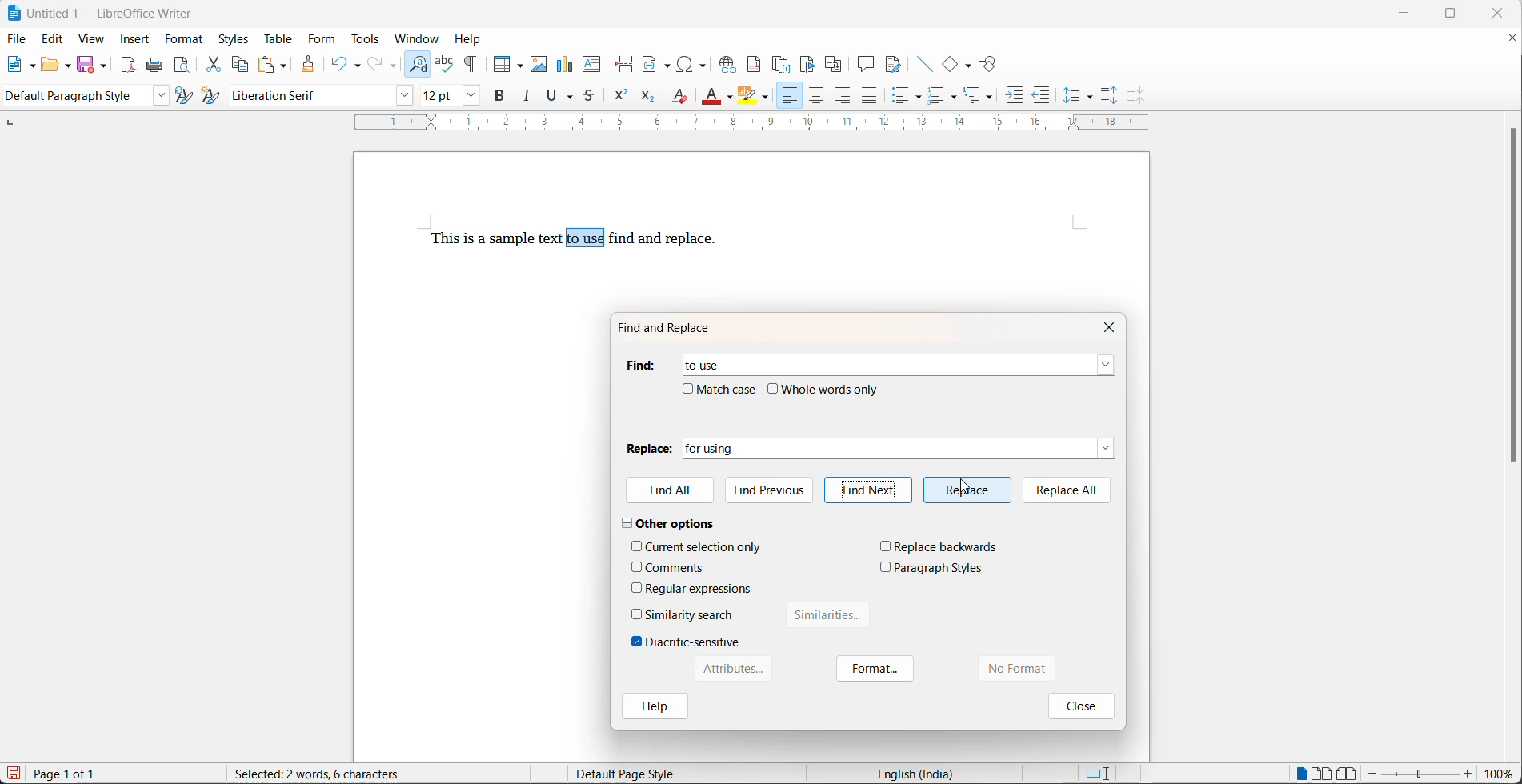  Describe the element at coordinates (401, 96) in the screenshot. I see `font name options` at that location.